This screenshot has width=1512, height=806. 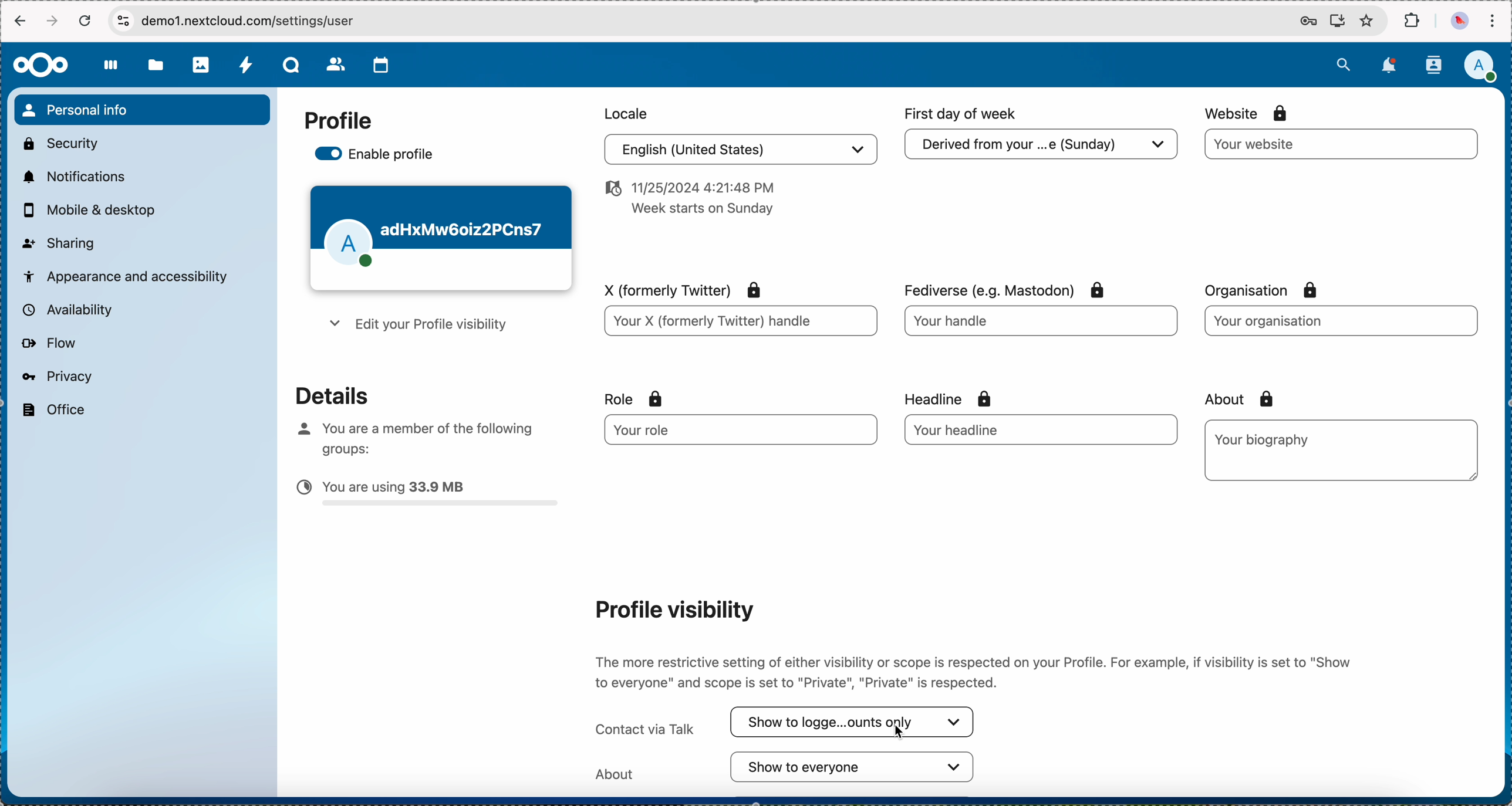 I want to click on your handle, so click(x=1044, y=325).